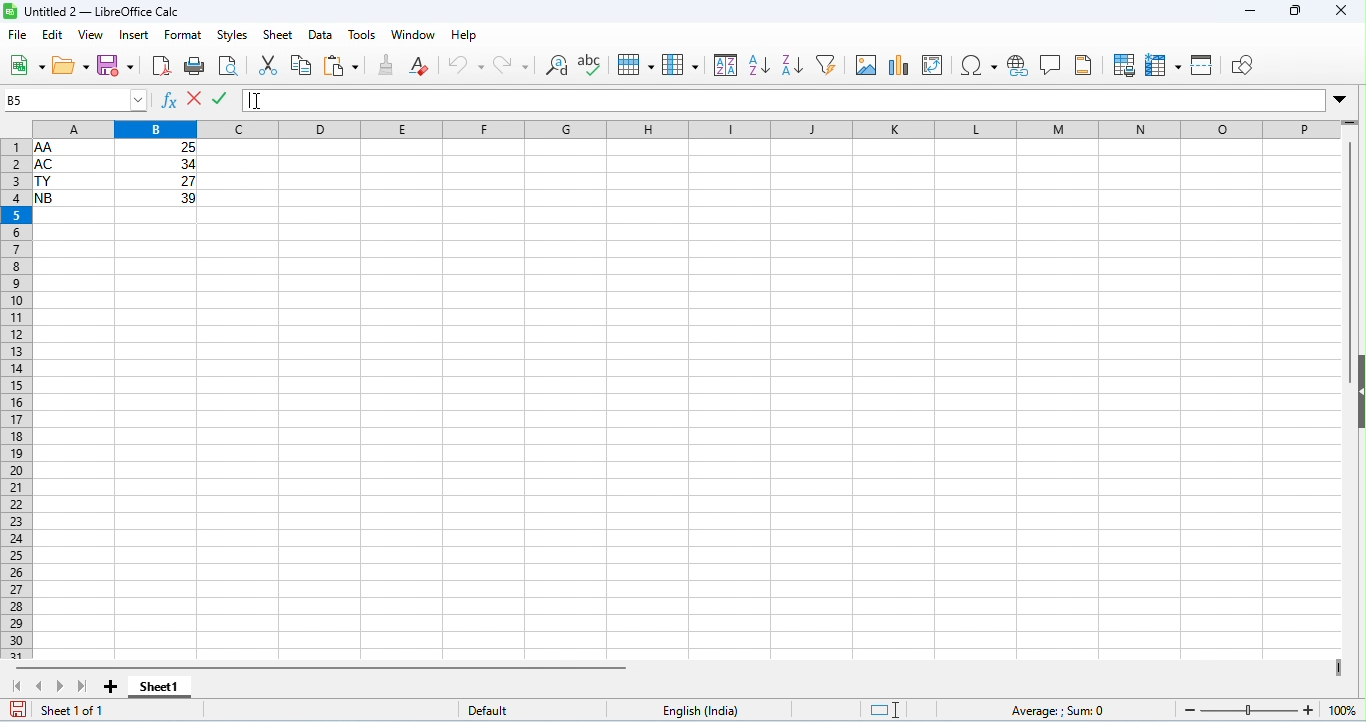  Describe the element at coordinates (169, 101) in the screenshot. I see `function wizard` at that location.